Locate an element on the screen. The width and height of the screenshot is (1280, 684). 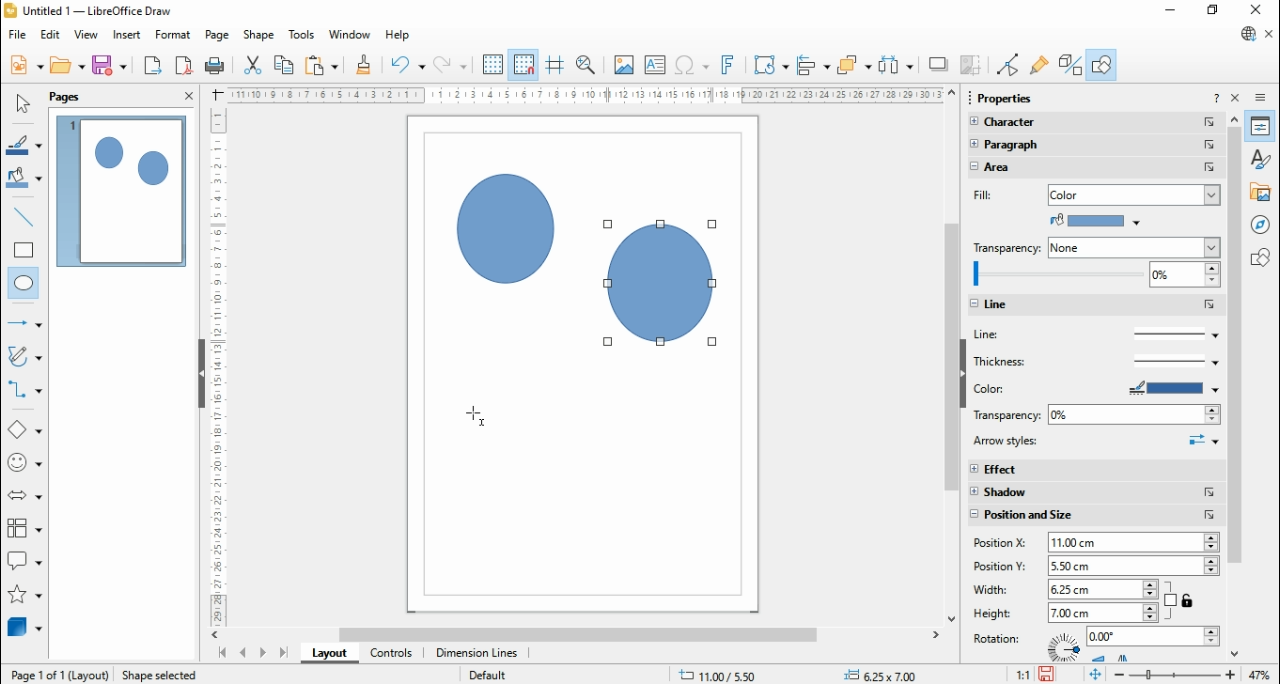
libre office update is located at coordinates (1247, 33).